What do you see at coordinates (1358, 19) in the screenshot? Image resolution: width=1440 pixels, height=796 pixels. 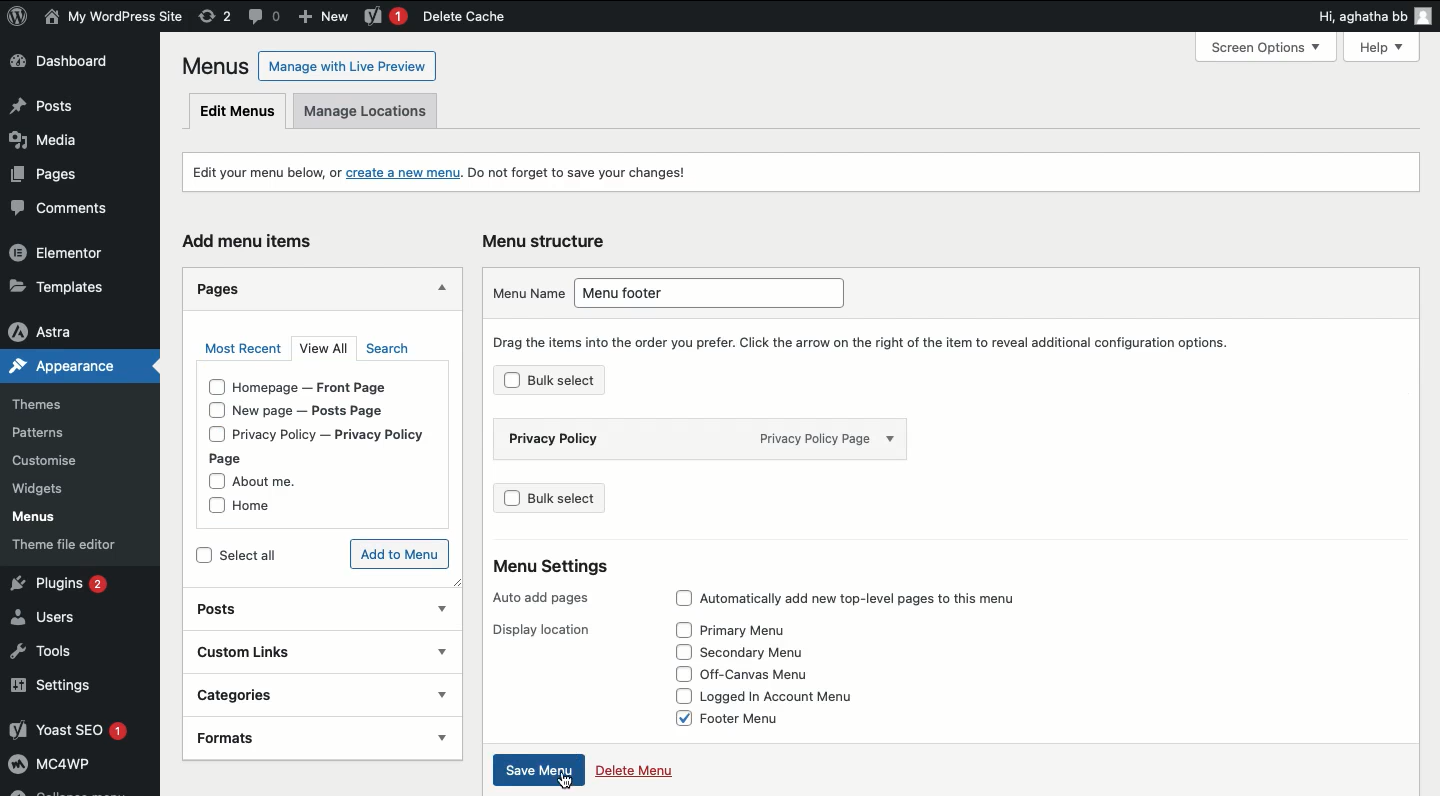 I see `Hi, agatha bb` at bounding box center [1358, 19].